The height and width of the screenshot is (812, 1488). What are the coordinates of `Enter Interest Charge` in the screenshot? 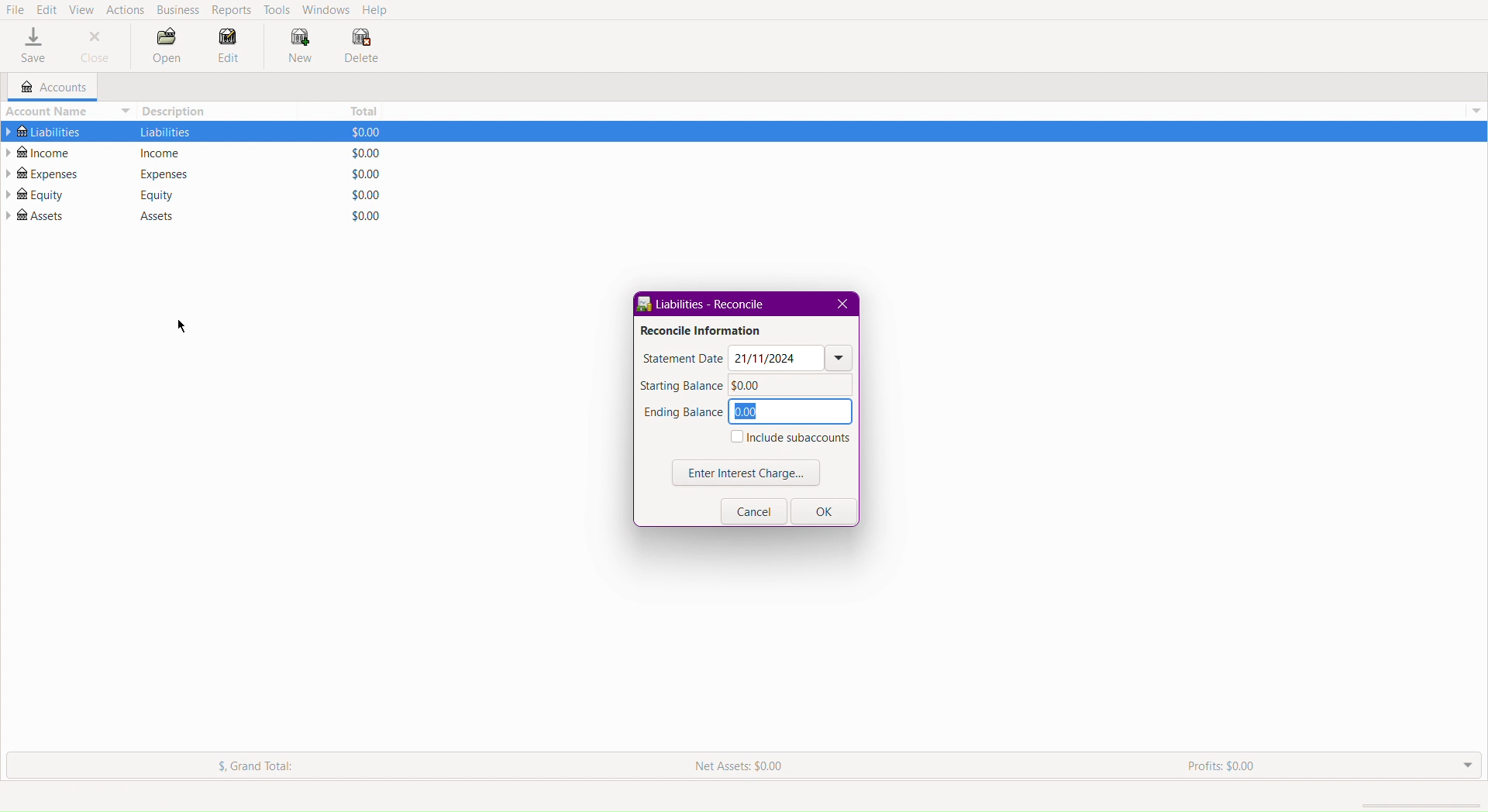 It's located at (746, 474).